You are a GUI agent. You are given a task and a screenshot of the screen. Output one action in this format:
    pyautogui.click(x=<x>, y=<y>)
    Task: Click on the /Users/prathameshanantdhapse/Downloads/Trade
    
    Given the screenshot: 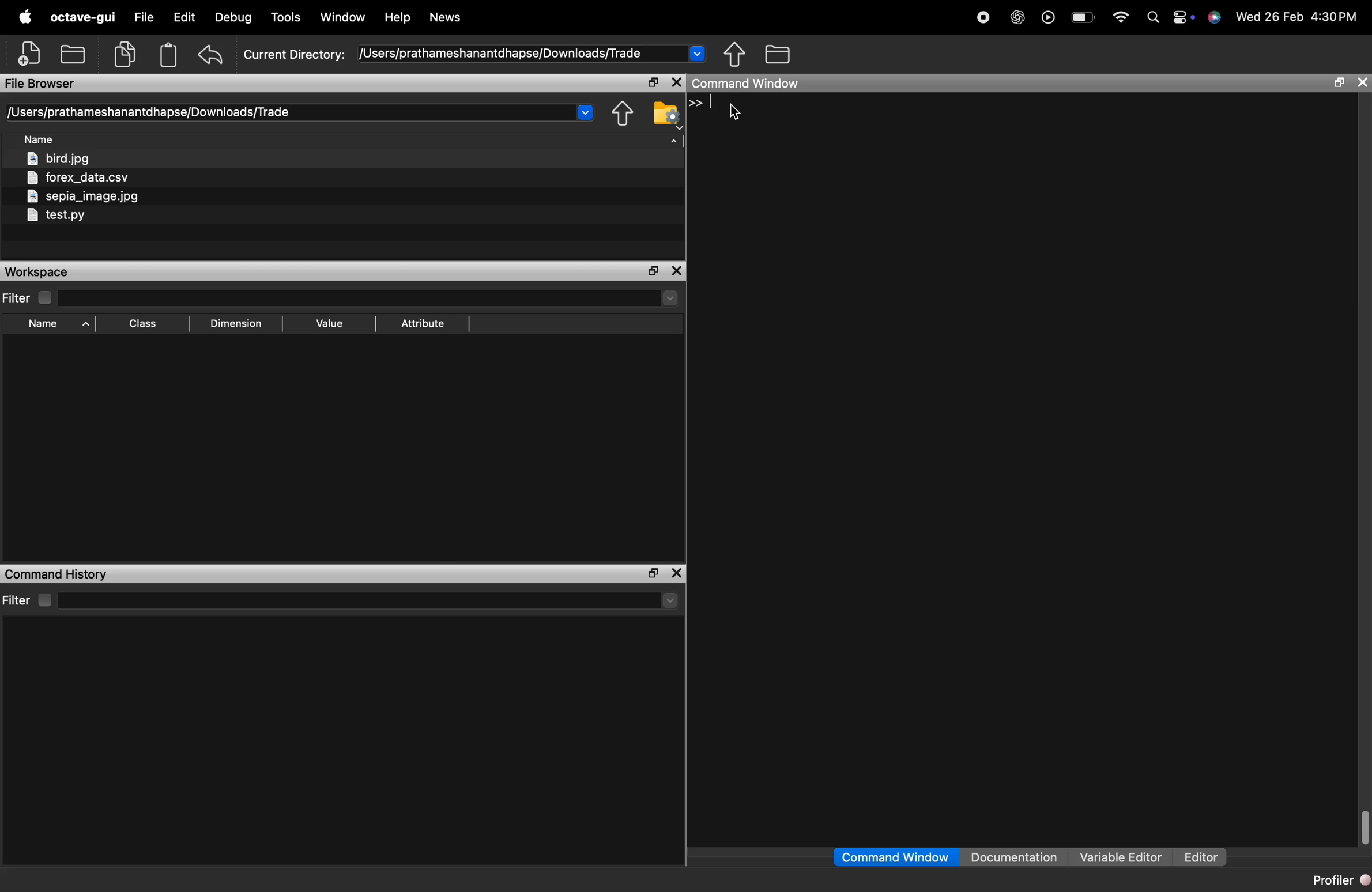 What is the action you would take?
    pyautogui.click(x=149, y=112)
    